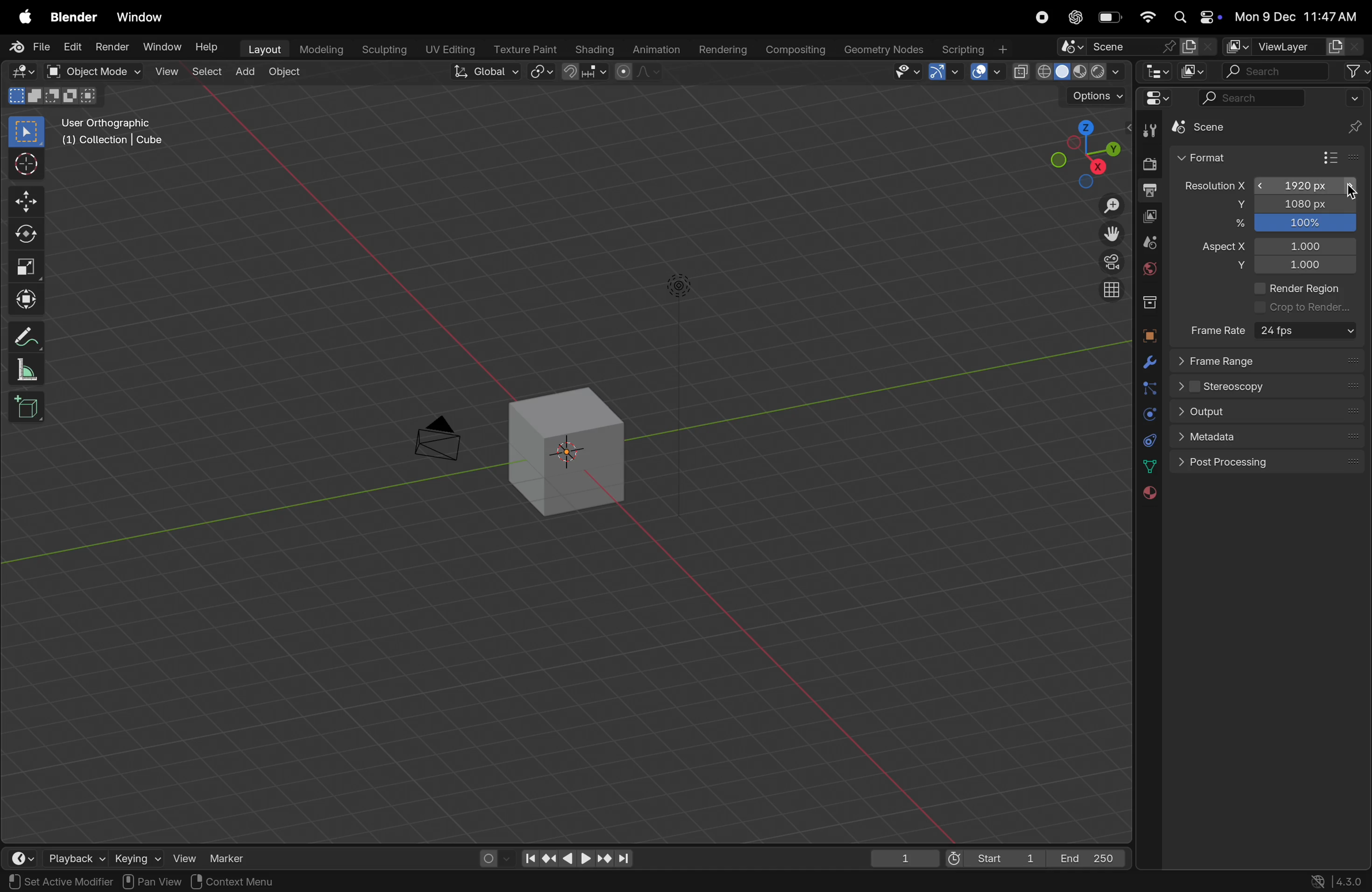  I want to click on playback controls, so click(578, 858).